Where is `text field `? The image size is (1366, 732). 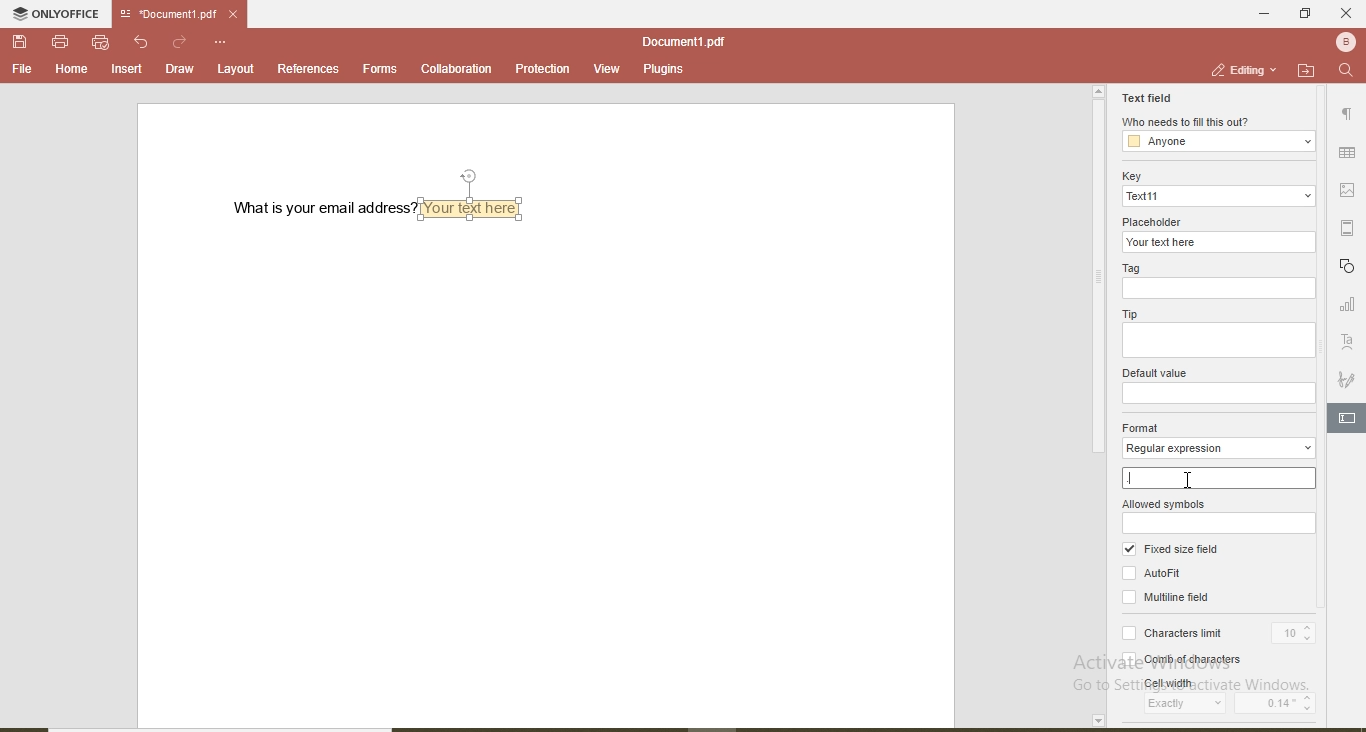
text field  is located at coordinates (1147, 96).